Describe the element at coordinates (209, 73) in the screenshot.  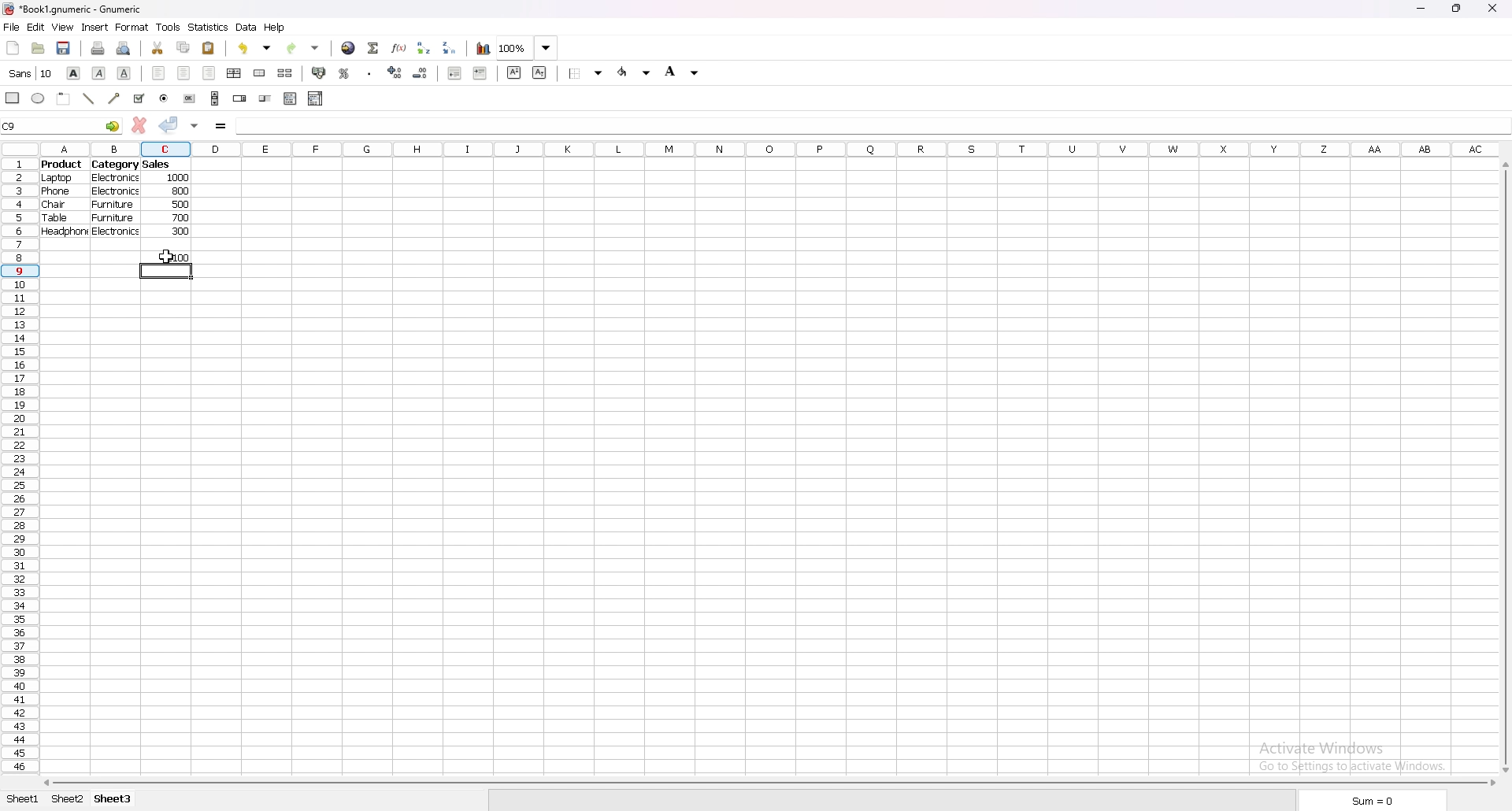
I see `right align` at that location.